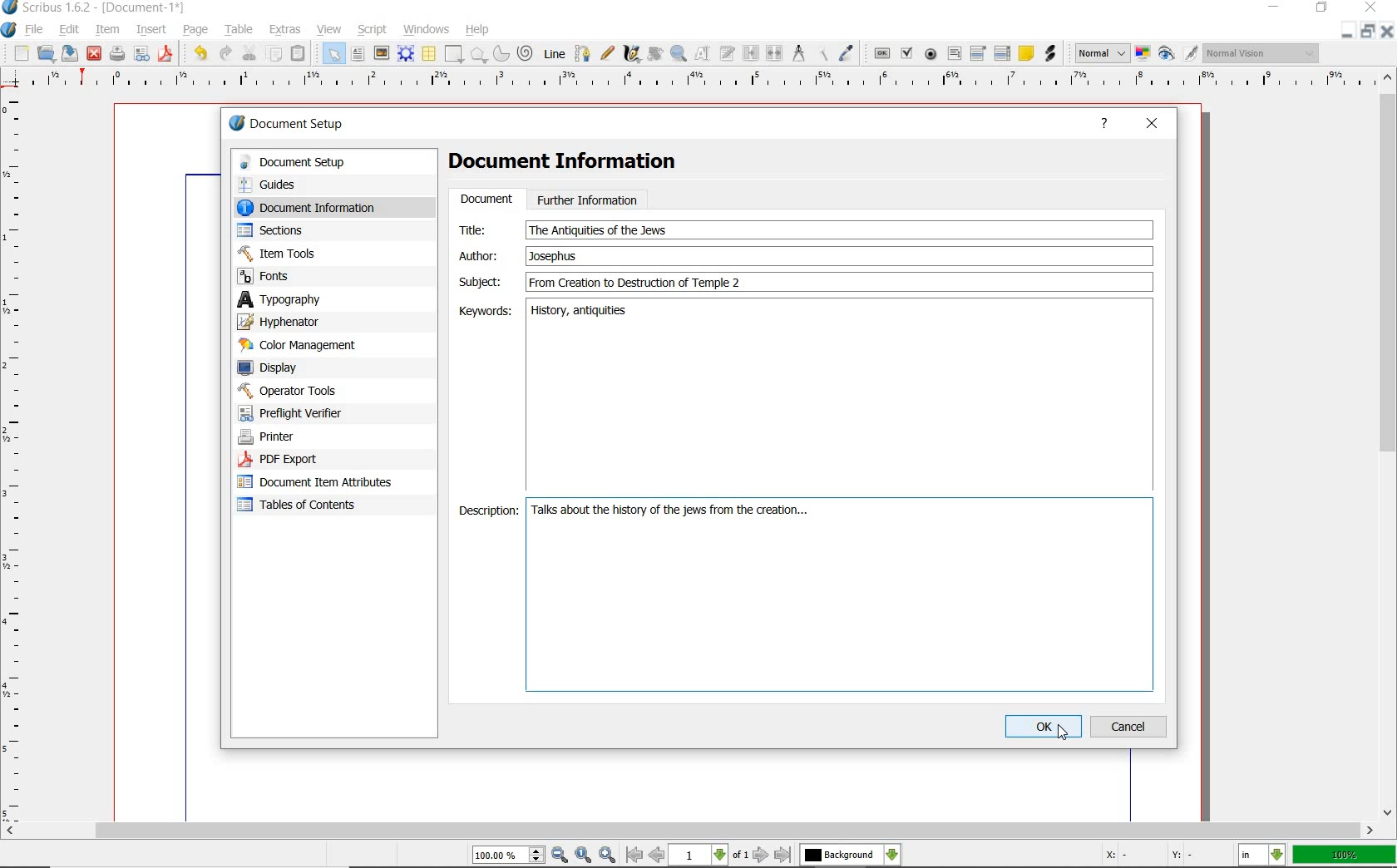 The height and width of the screenshot is (868, 1397). I want to click on select image preview mode, so click(1102, 54).